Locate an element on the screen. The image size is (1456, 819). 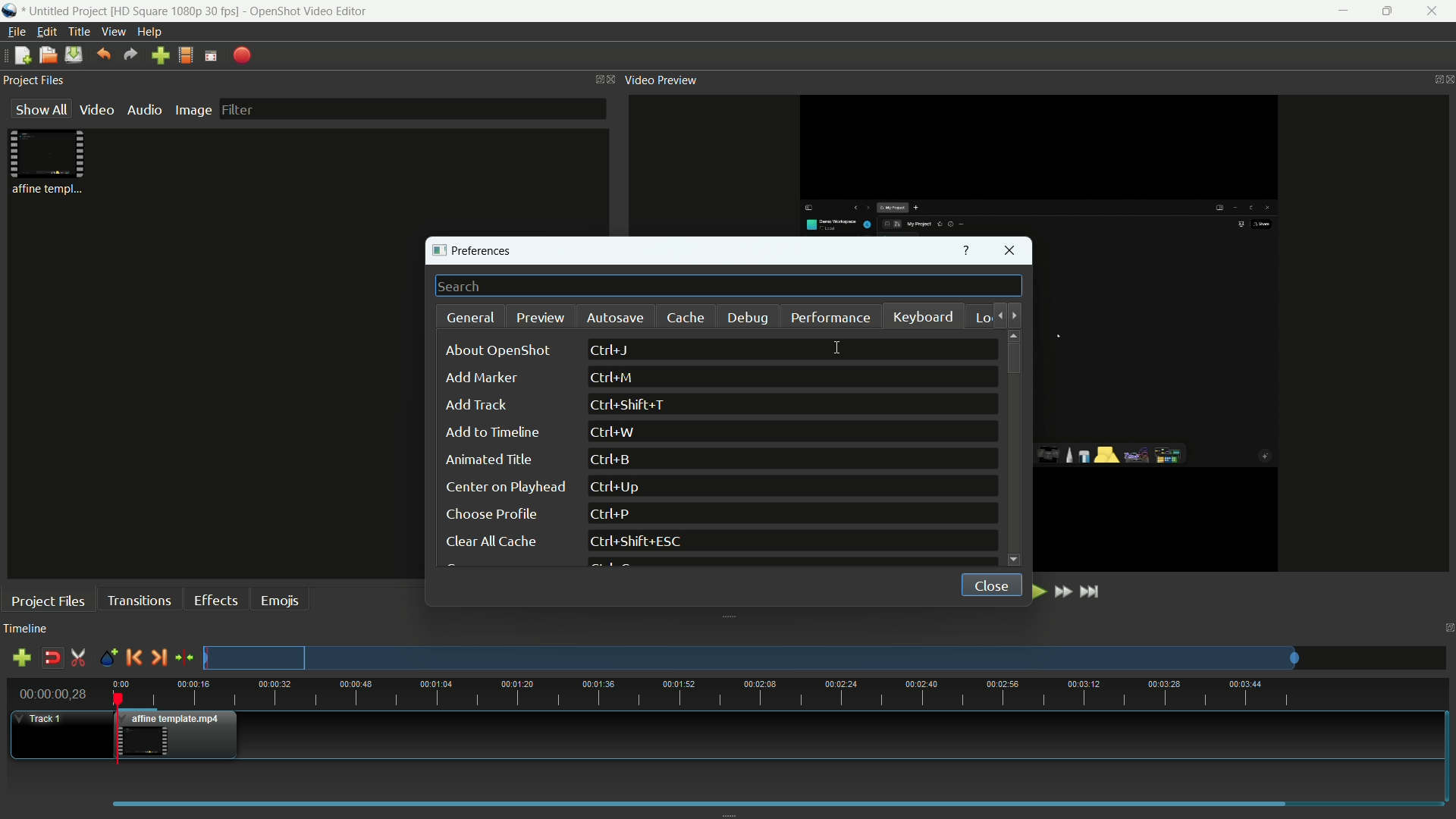
close timeline is located at coordinates (1447, 628).